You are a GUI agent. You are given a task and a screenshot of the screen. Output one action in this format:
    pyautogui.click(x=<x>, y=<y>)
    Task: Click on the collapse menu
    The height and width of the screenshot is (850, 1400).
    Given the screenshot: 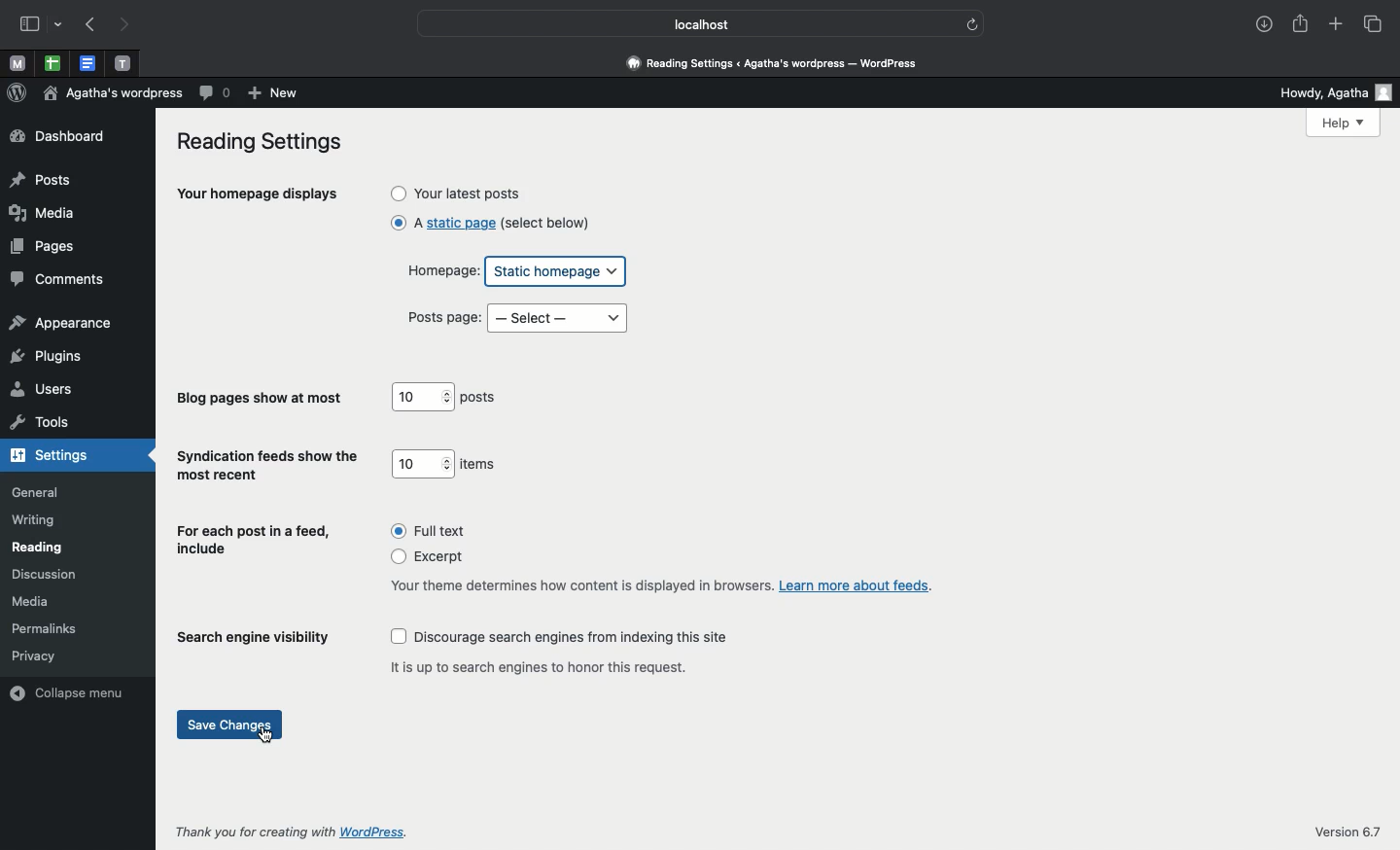 What is the action you would take?
    pyautogui.click(x=72, y=691)
    